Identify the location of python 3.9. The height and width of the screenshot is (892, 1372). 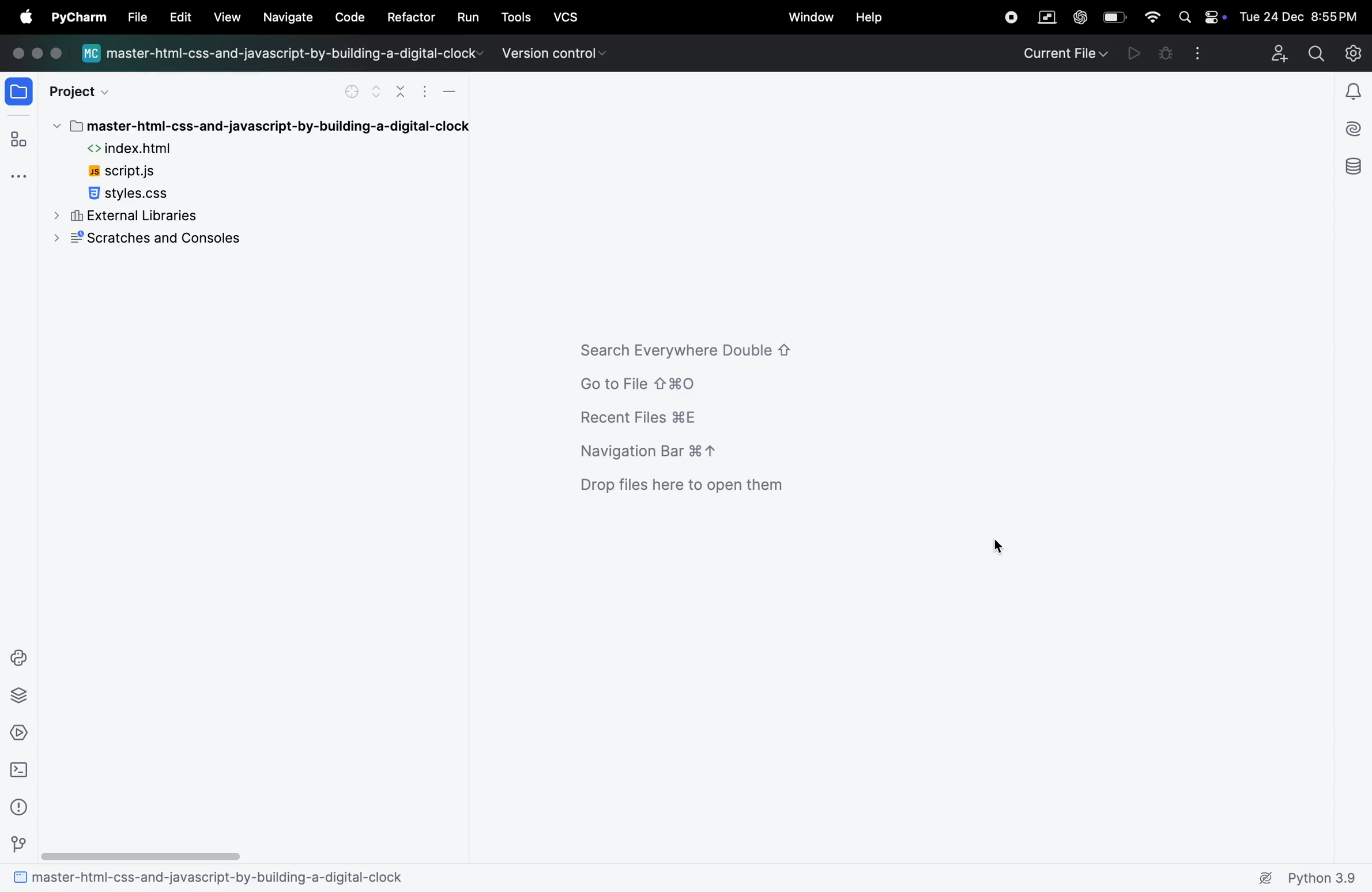
(1307, 879).